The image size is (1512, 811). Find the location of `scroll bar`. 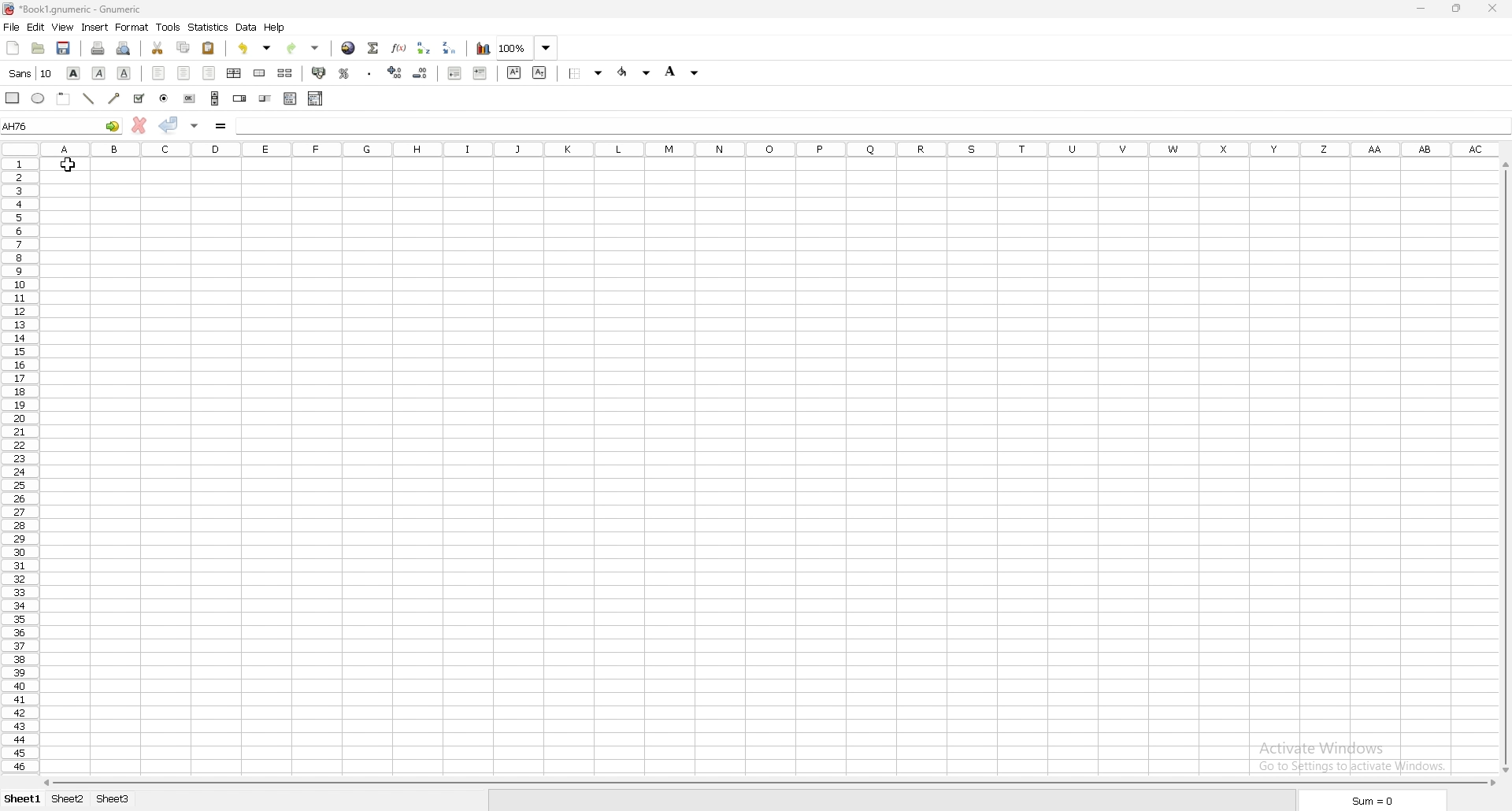

scroll bar is located at coordinates (769, 782).